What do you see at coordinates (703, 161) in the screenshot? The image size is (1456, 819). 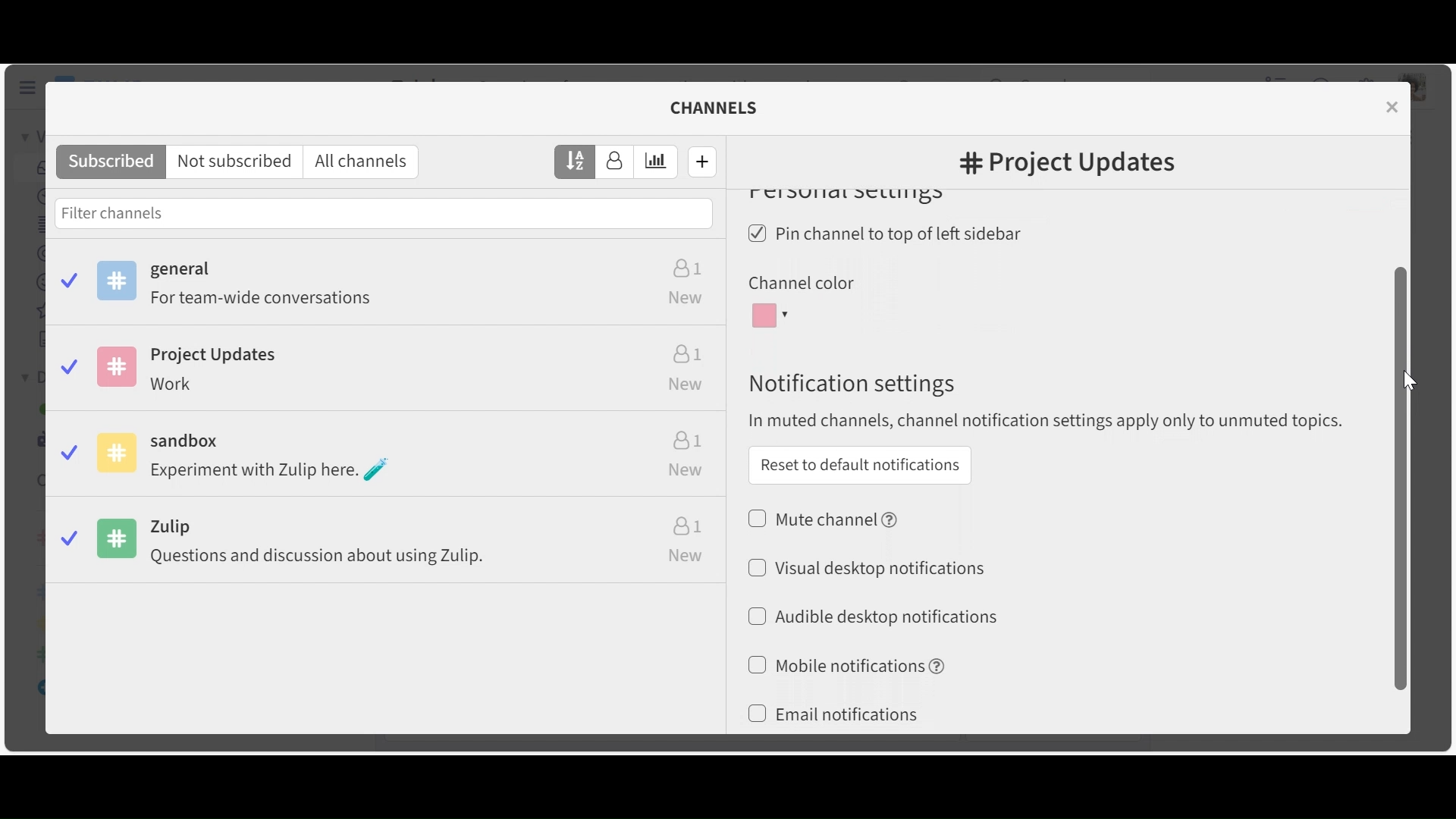 I see `Create new channel` at bounding box center [703, 161].